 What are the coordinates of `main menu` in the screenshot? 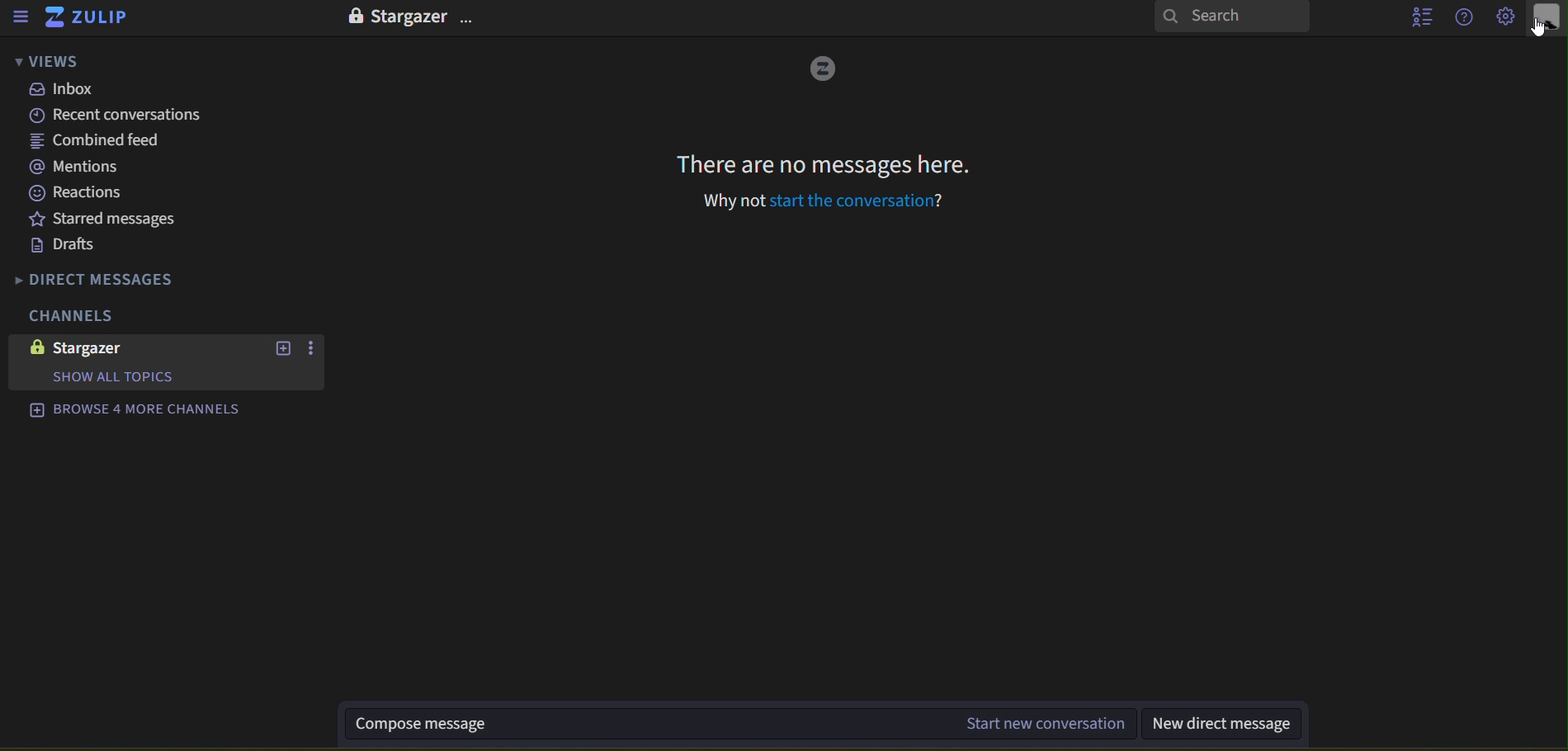 It's located at (1507, 18).